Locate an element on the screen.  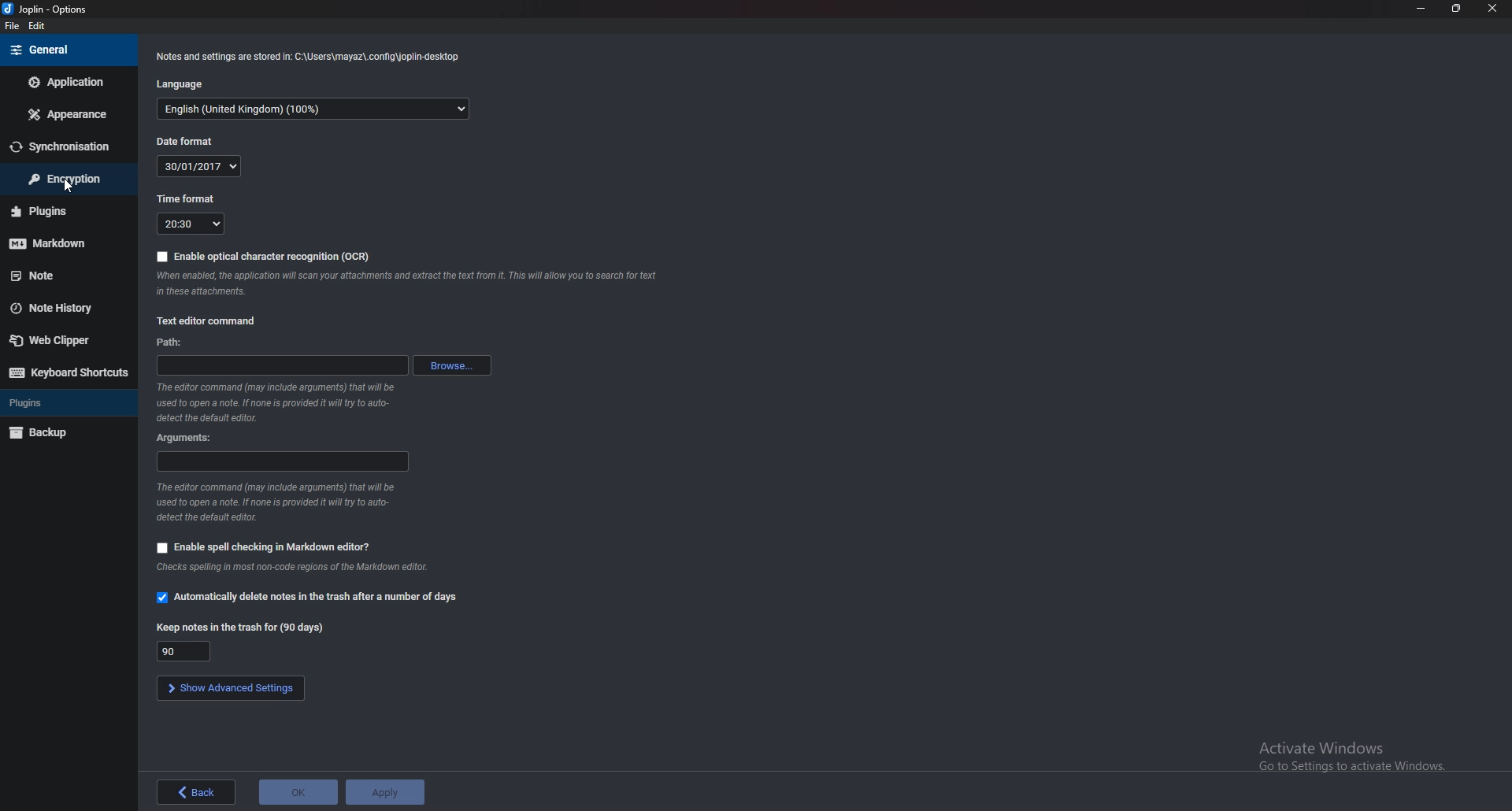
plugins is located at coordinates (66, 403).